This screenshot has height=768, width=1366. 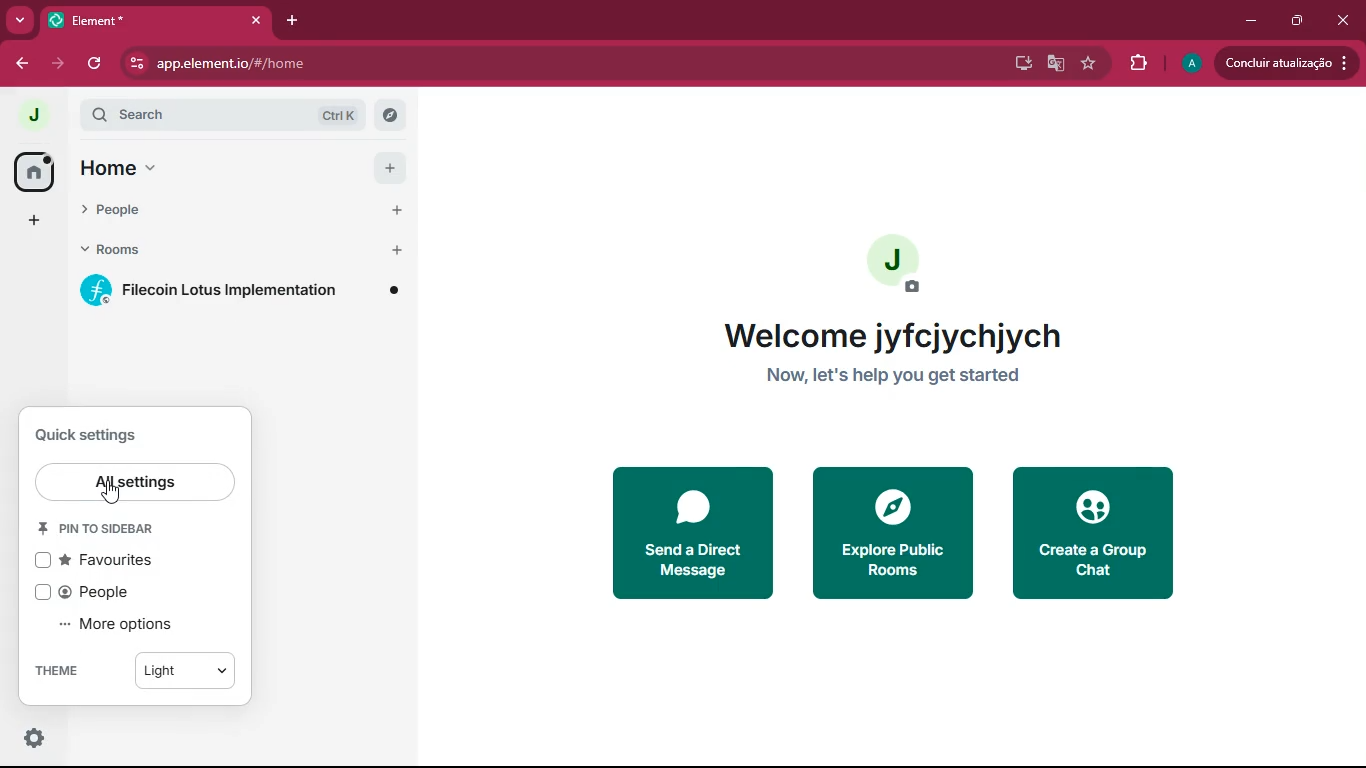 What do you see at coordinates (1020, 62) in the screenshot?
I see `desktop` at bounding box center [1020, 62].